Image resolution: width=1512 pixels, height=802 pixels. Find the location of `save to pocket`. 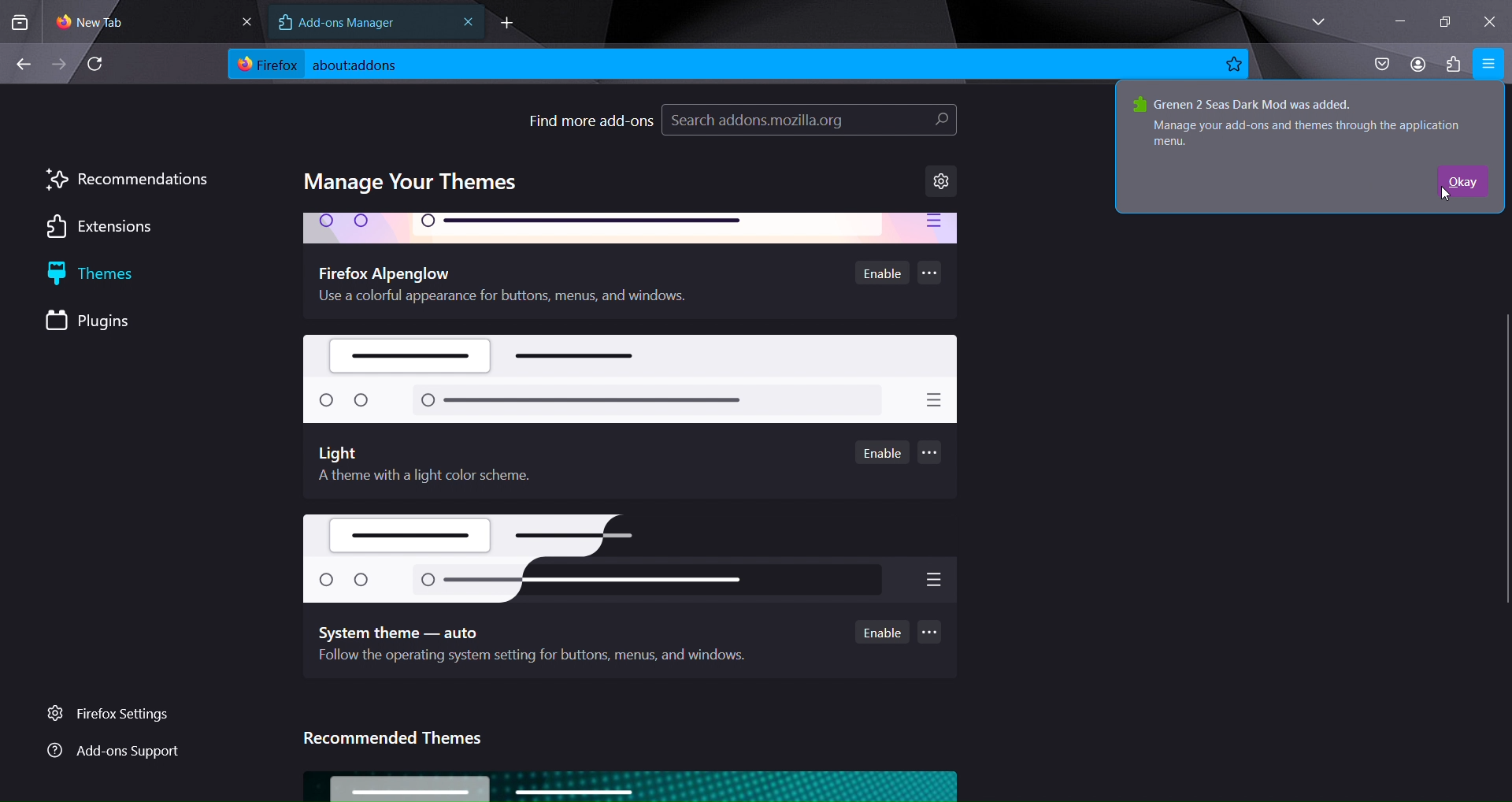

save to pocket is located at coordinates (1380, 64).